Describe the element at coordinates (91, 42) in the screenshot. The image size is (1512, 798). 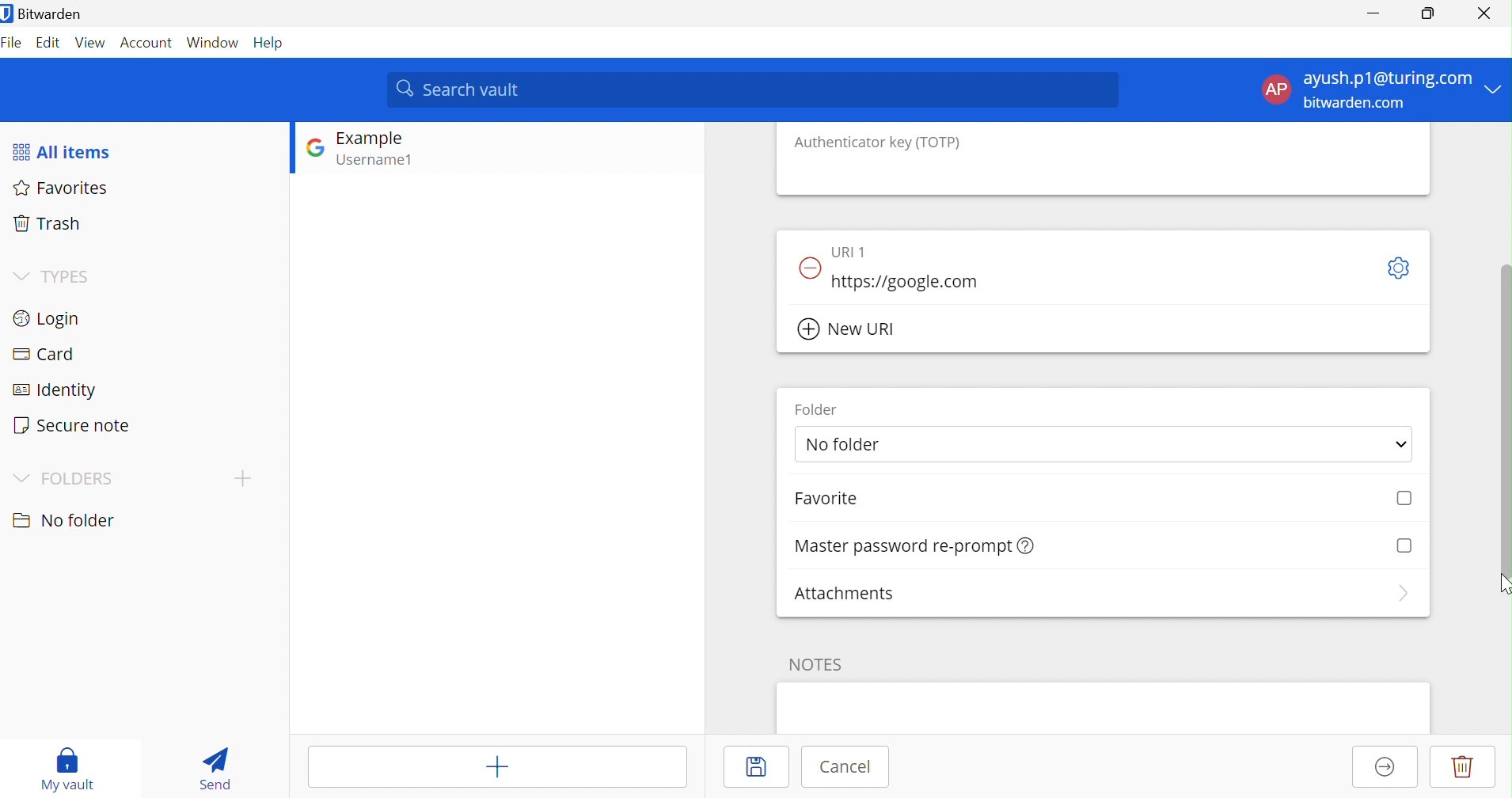
I see `View` at that location.